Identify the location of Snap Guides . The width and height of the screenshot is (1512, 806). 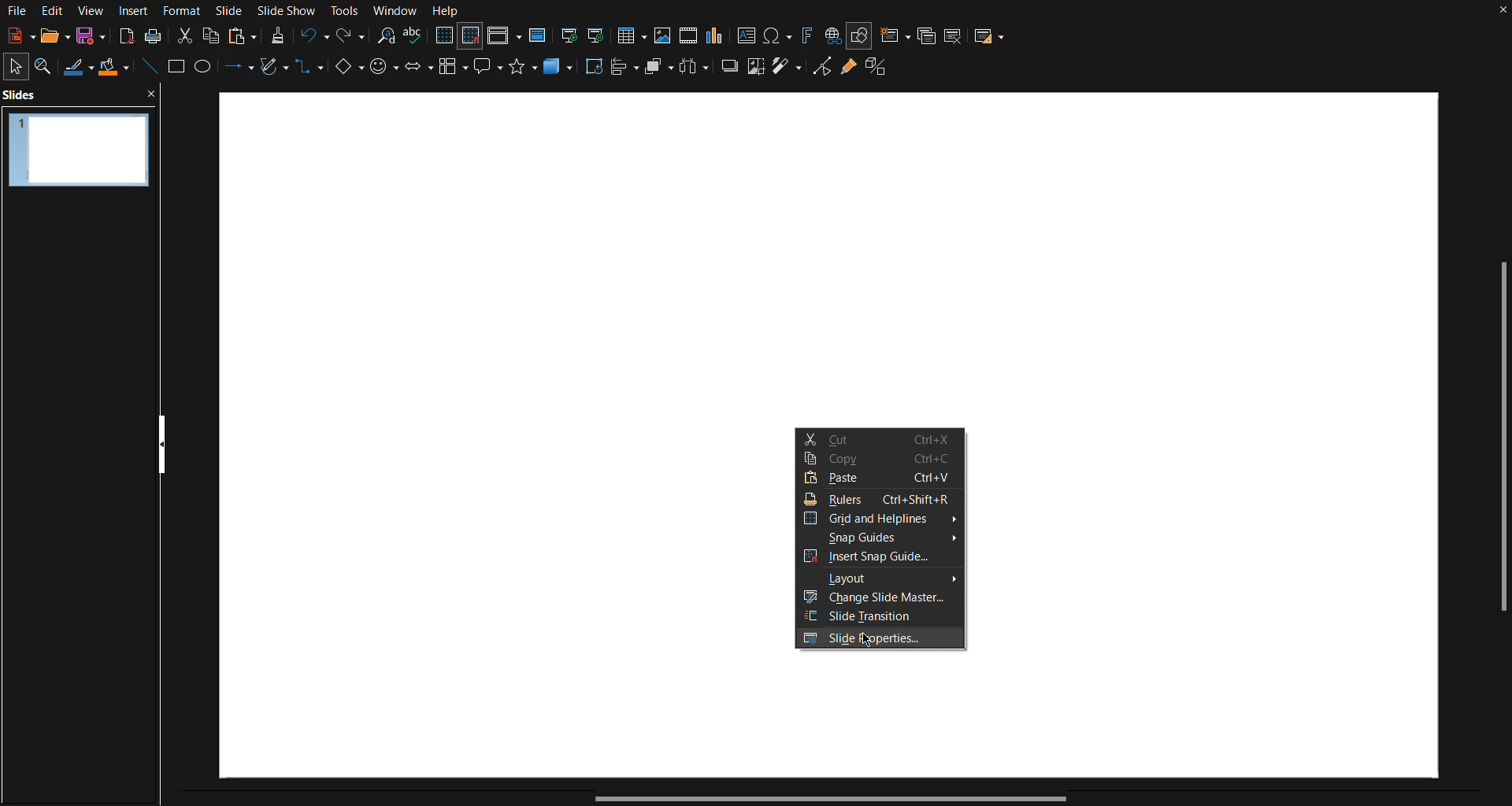
(882, 538).